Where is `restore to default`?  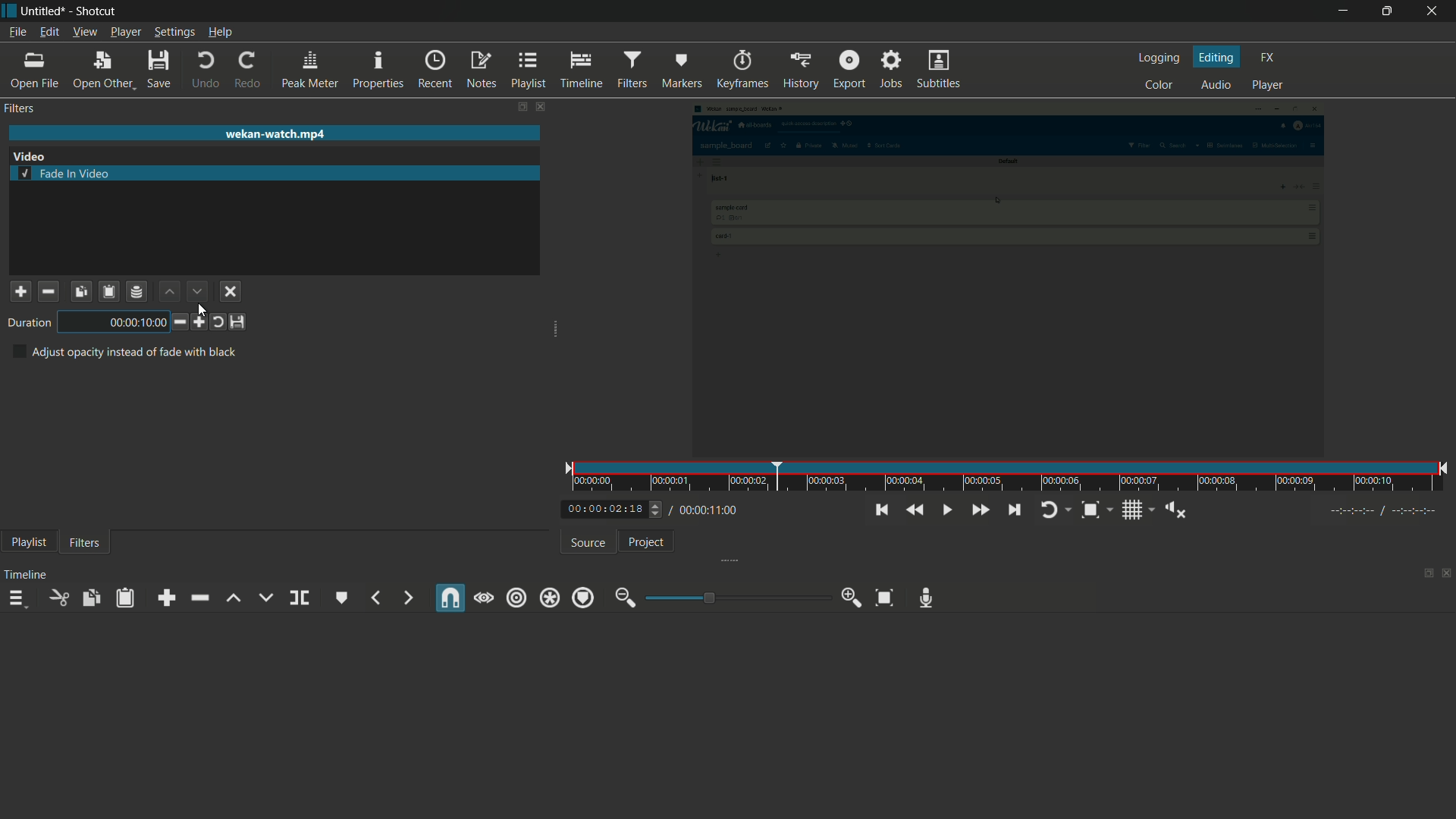
restore to default is located at coordinates (218, 322).